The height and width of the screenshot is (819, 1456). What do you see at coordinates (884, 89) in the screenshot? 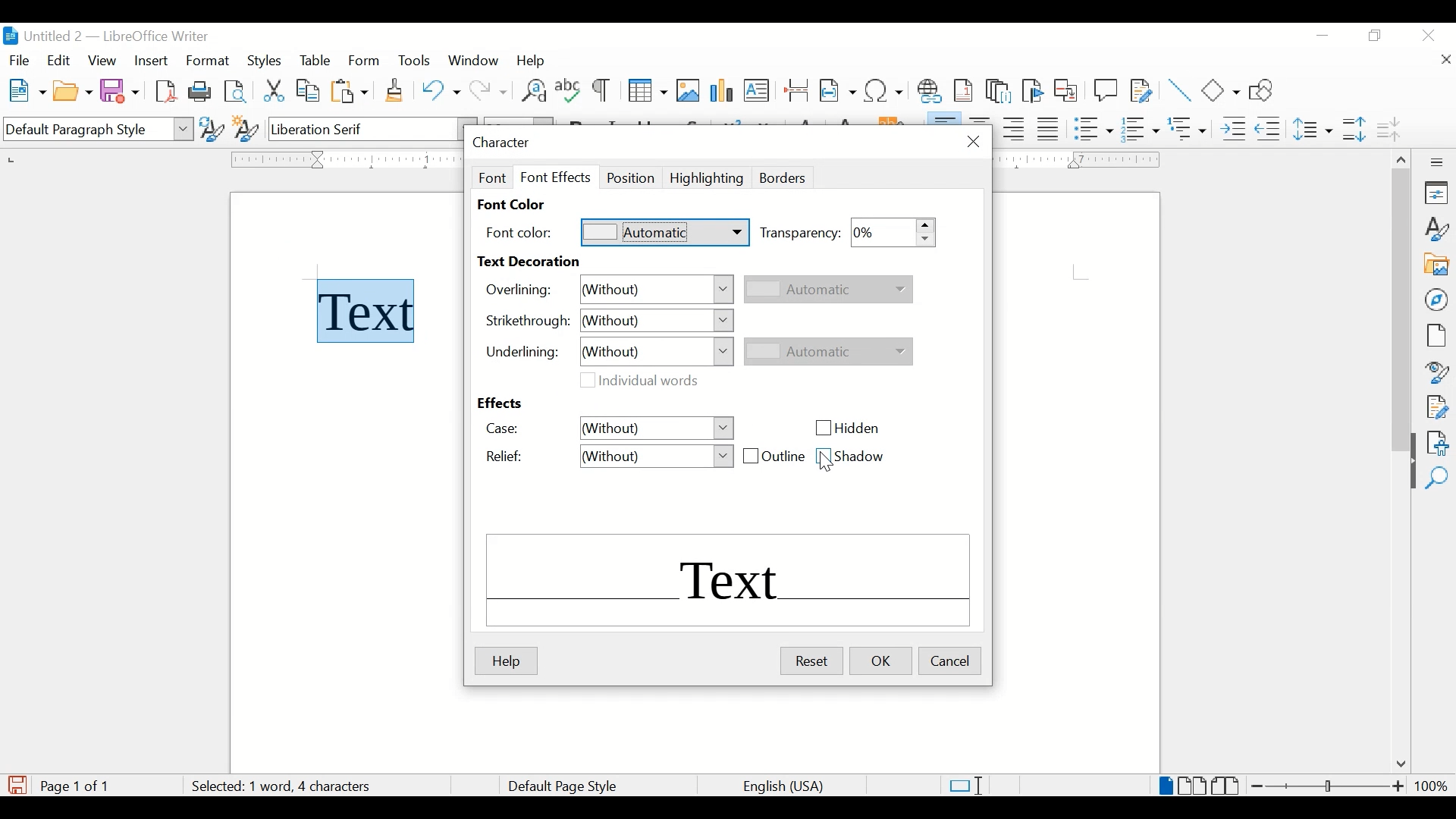
I see `insert special characters` at bounding box center [884, 89].